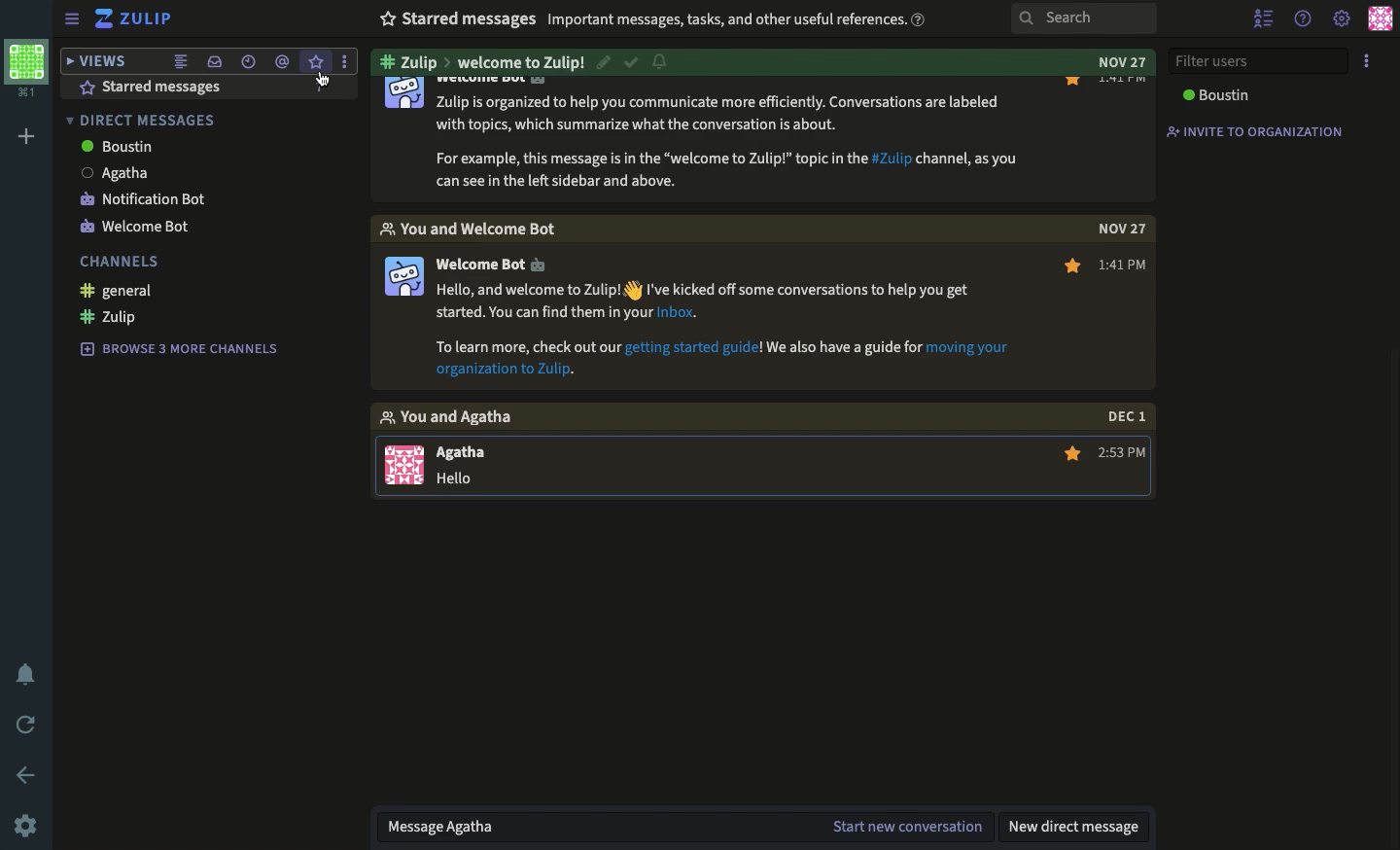  I want to click on message Agatha, so click(450, 826).